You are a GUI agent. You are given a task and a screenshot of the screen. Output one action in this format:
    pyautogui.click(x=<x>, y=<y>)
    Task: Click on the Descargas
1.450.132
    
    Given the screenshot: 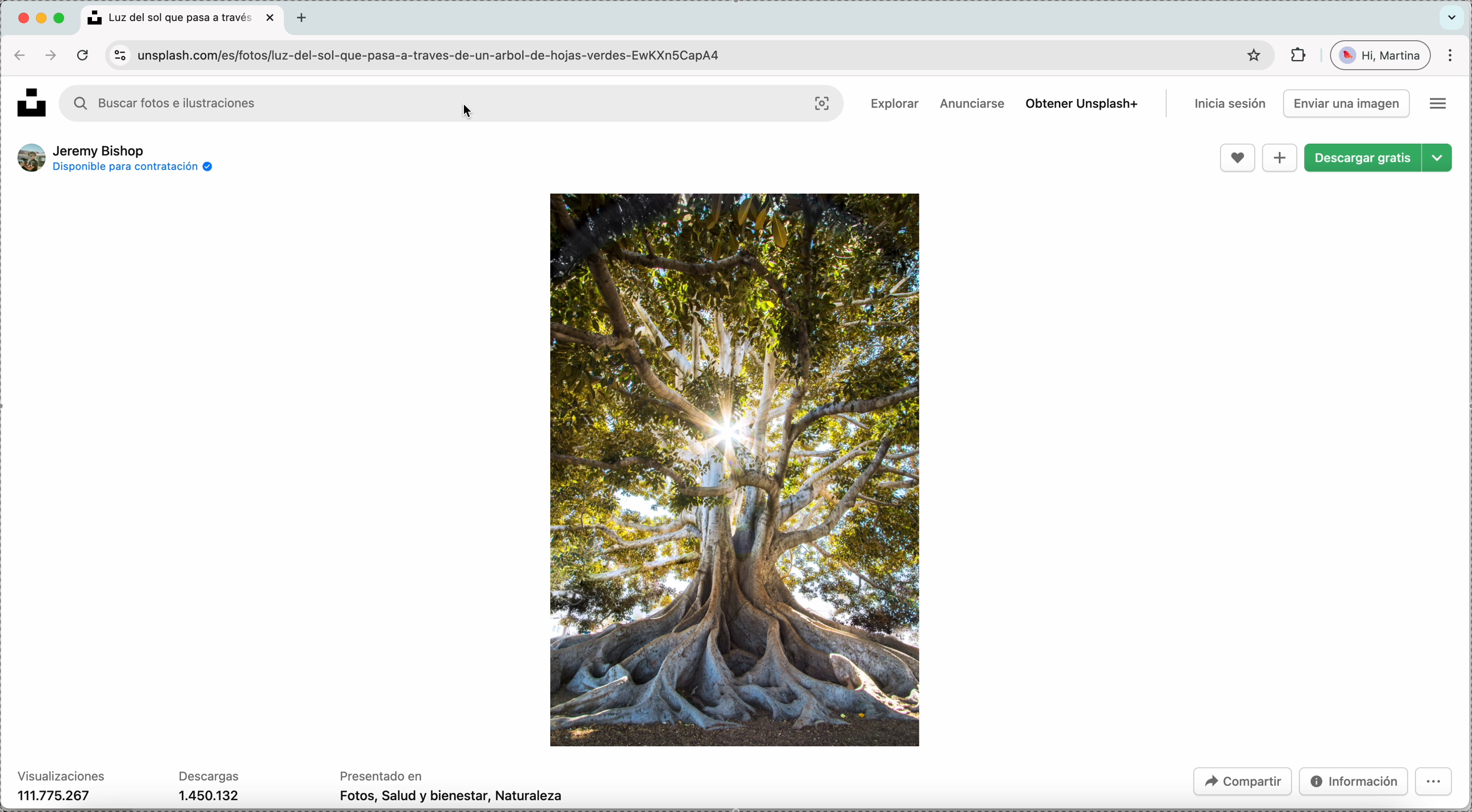 What is the action you would take?
    pyautogui.click(x=211, y=786)
    